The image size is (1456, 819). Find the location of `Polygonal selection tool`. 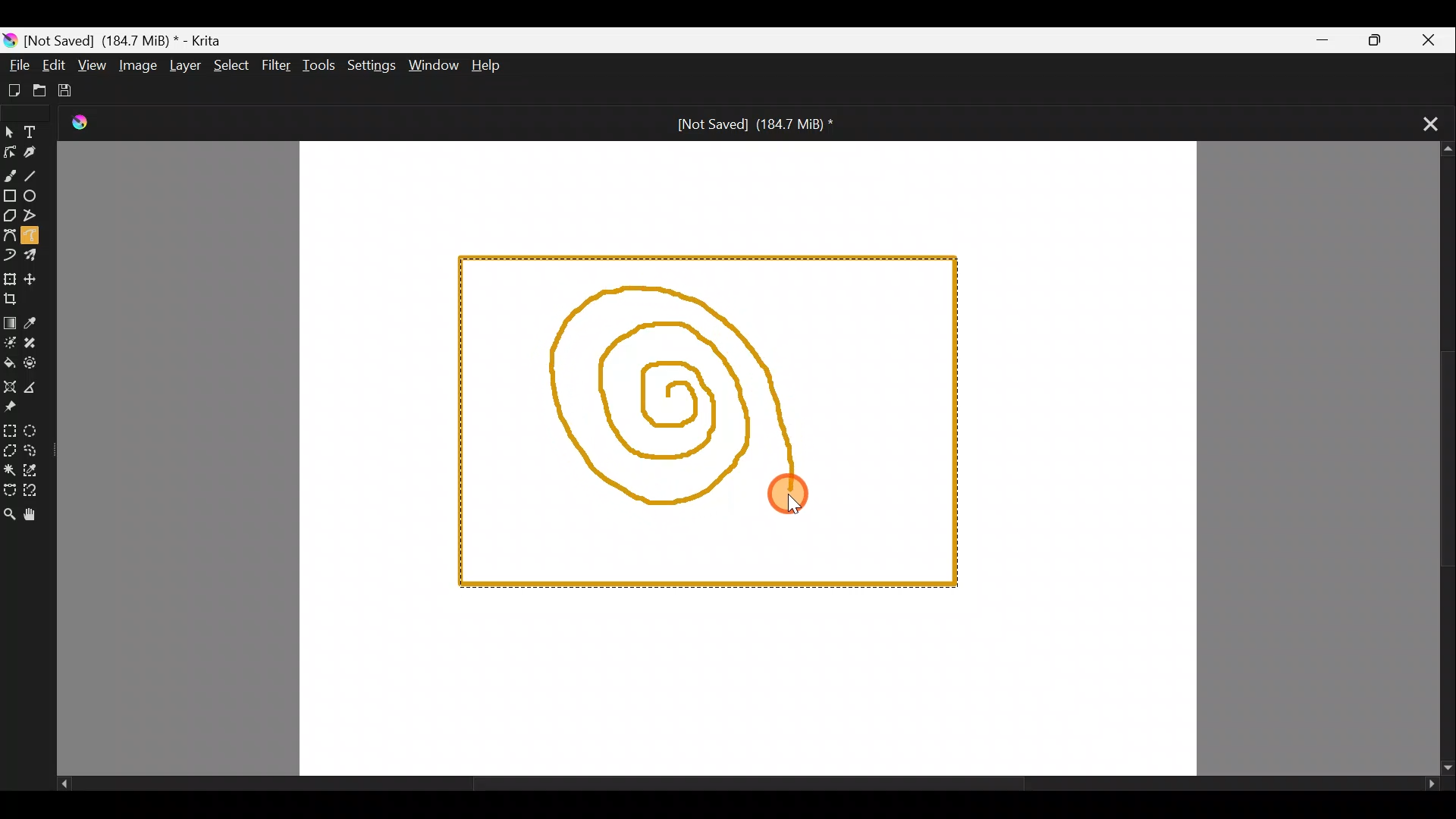

Polygonal selection tool is located at coordinates (9, 452).